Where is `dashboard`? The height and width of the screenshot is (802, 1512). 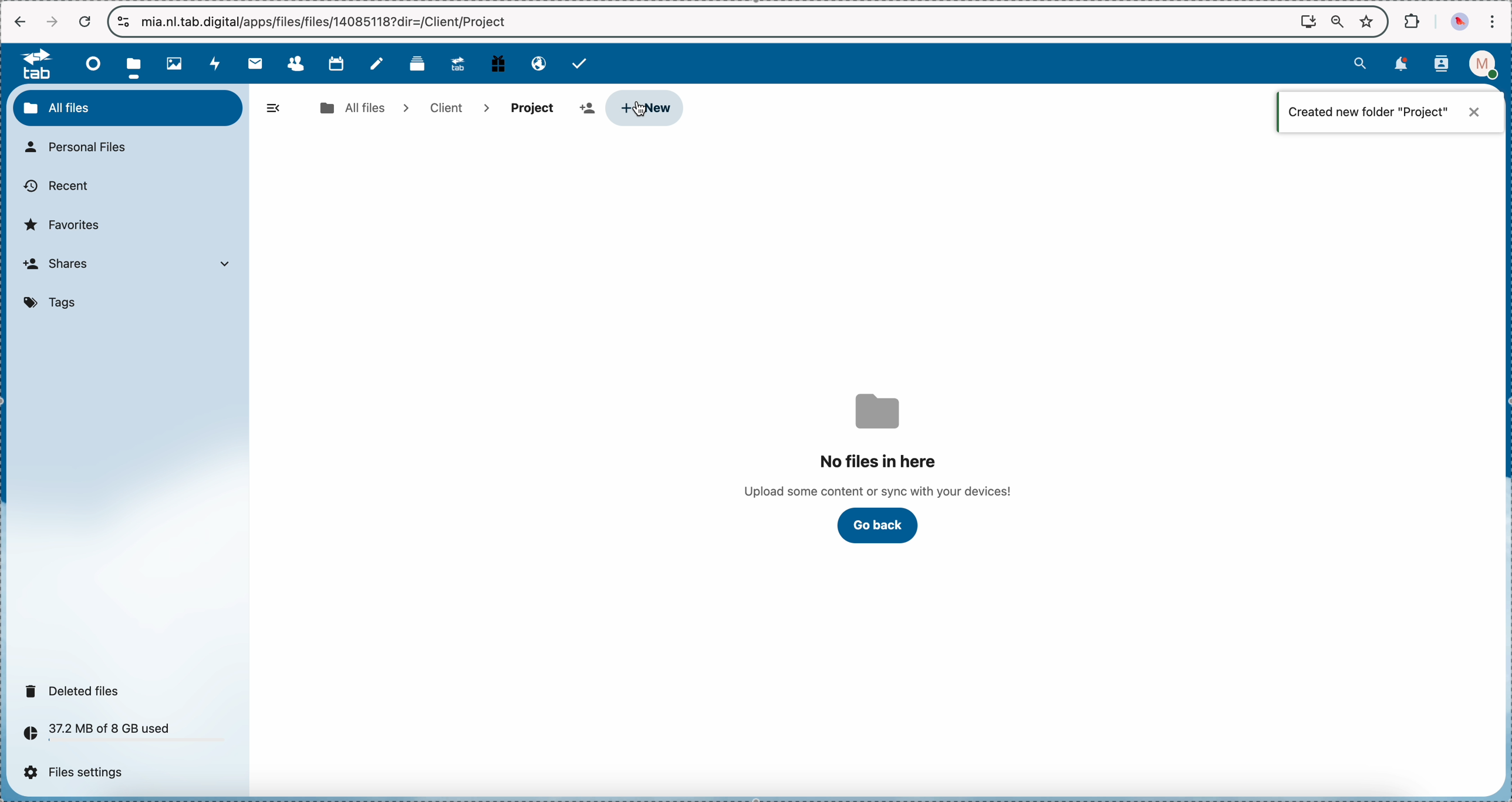 dashboard is located at coordinates (90, 63).